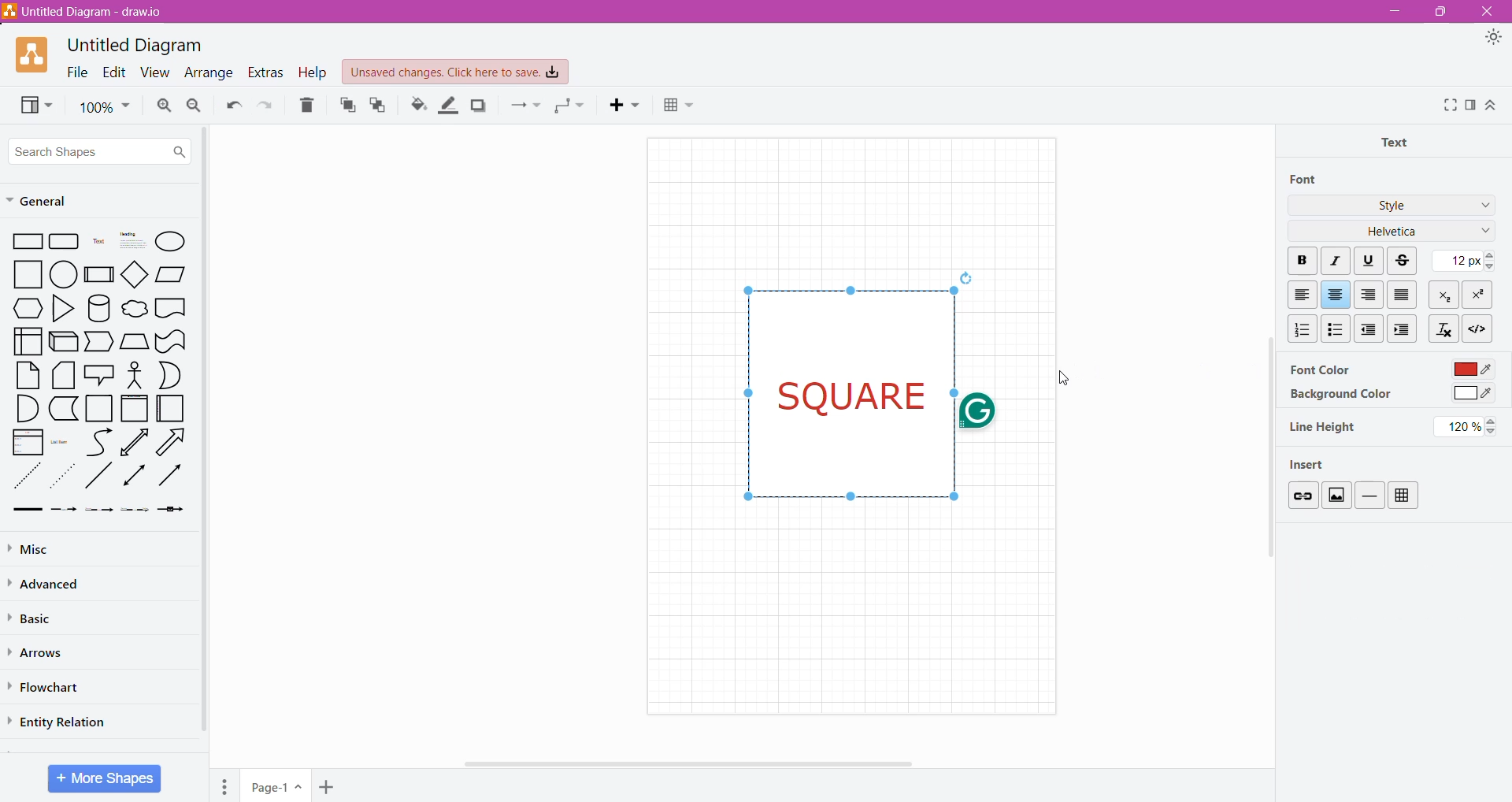 The width and height of the screenshot is (1512, 802). I want to click on General, so click(45, 202).